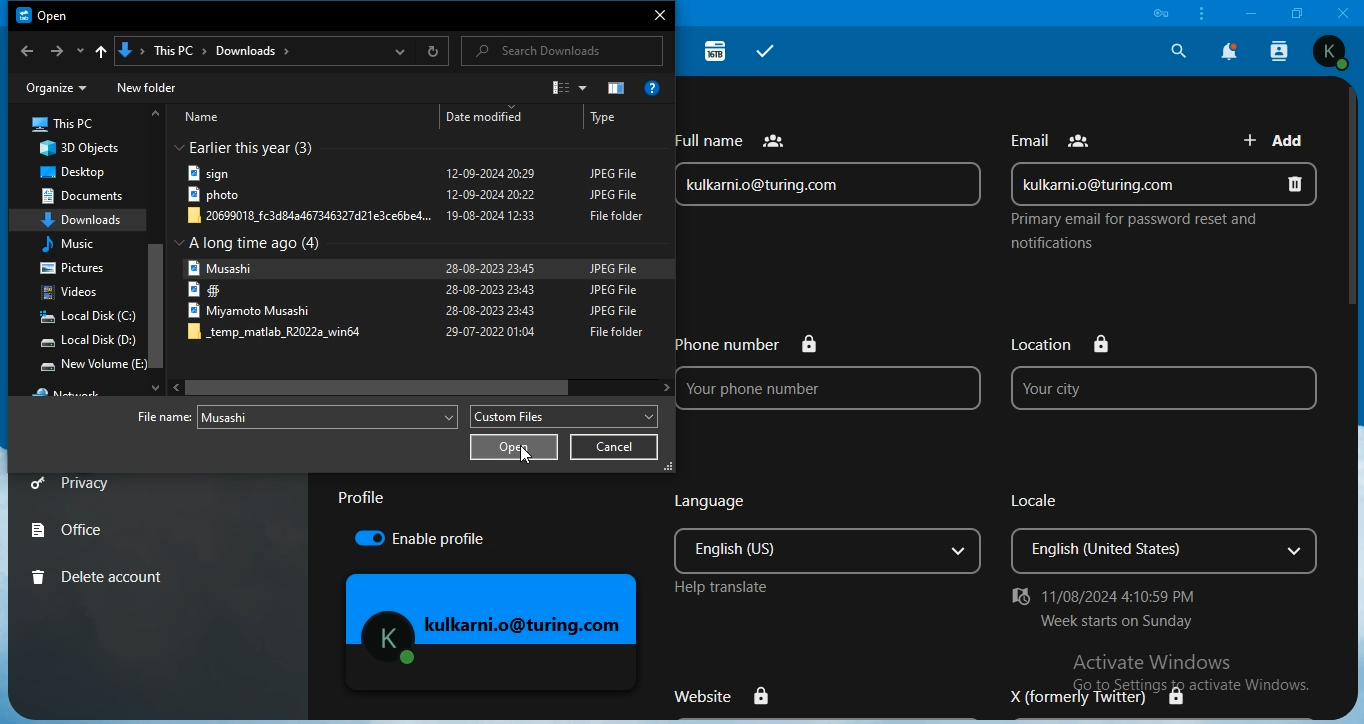 This screenshot has height=724, width=1364. I want to click on local disk  c, so click(85, 318).